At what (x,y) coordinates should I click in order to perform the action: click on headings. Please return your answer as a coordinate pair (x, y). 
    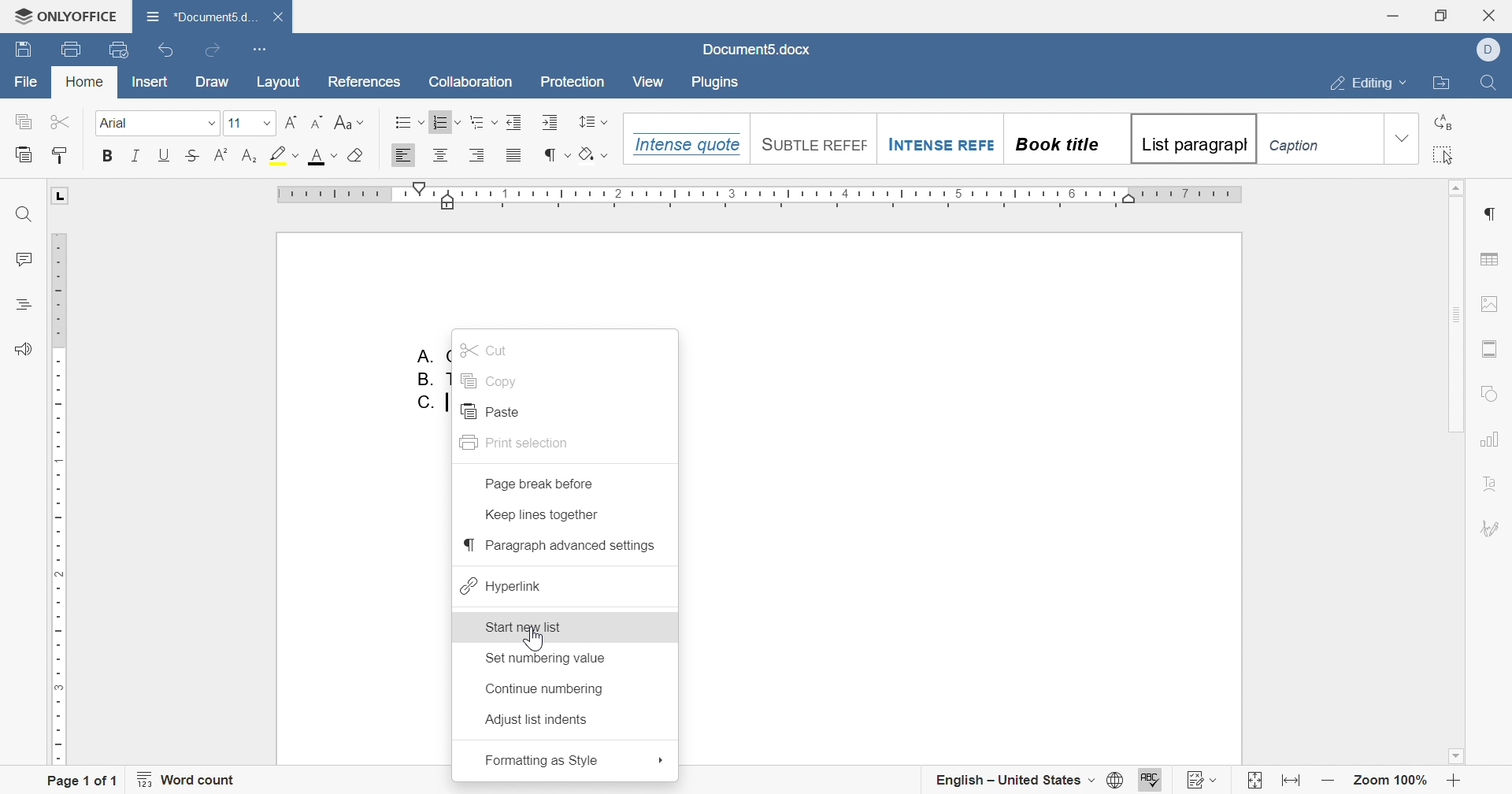
    Looking at the image, I should click on (22, 305).